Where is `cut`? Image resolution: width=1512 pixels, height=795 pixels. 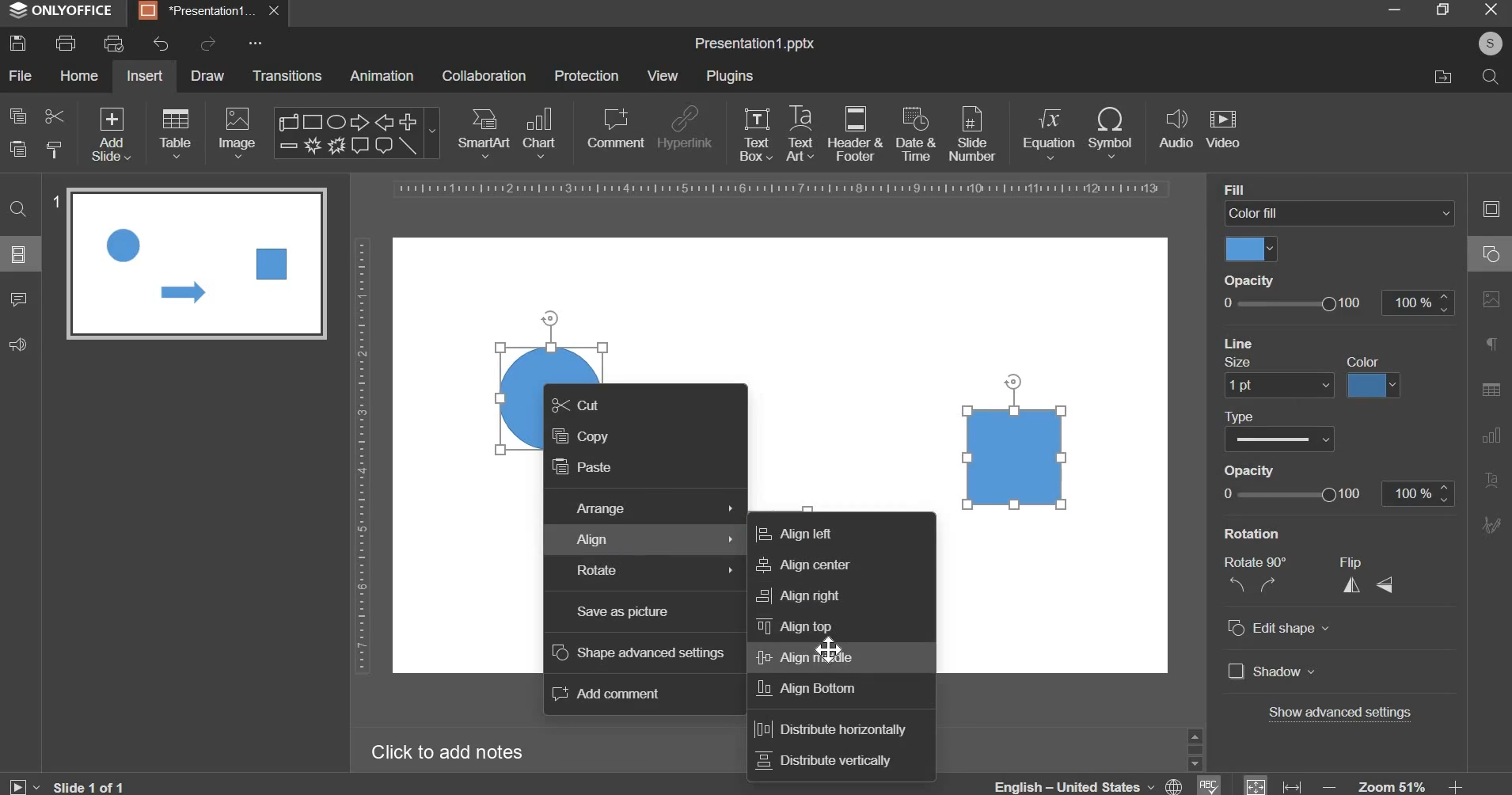
cut is located at coordinates (53, 115).